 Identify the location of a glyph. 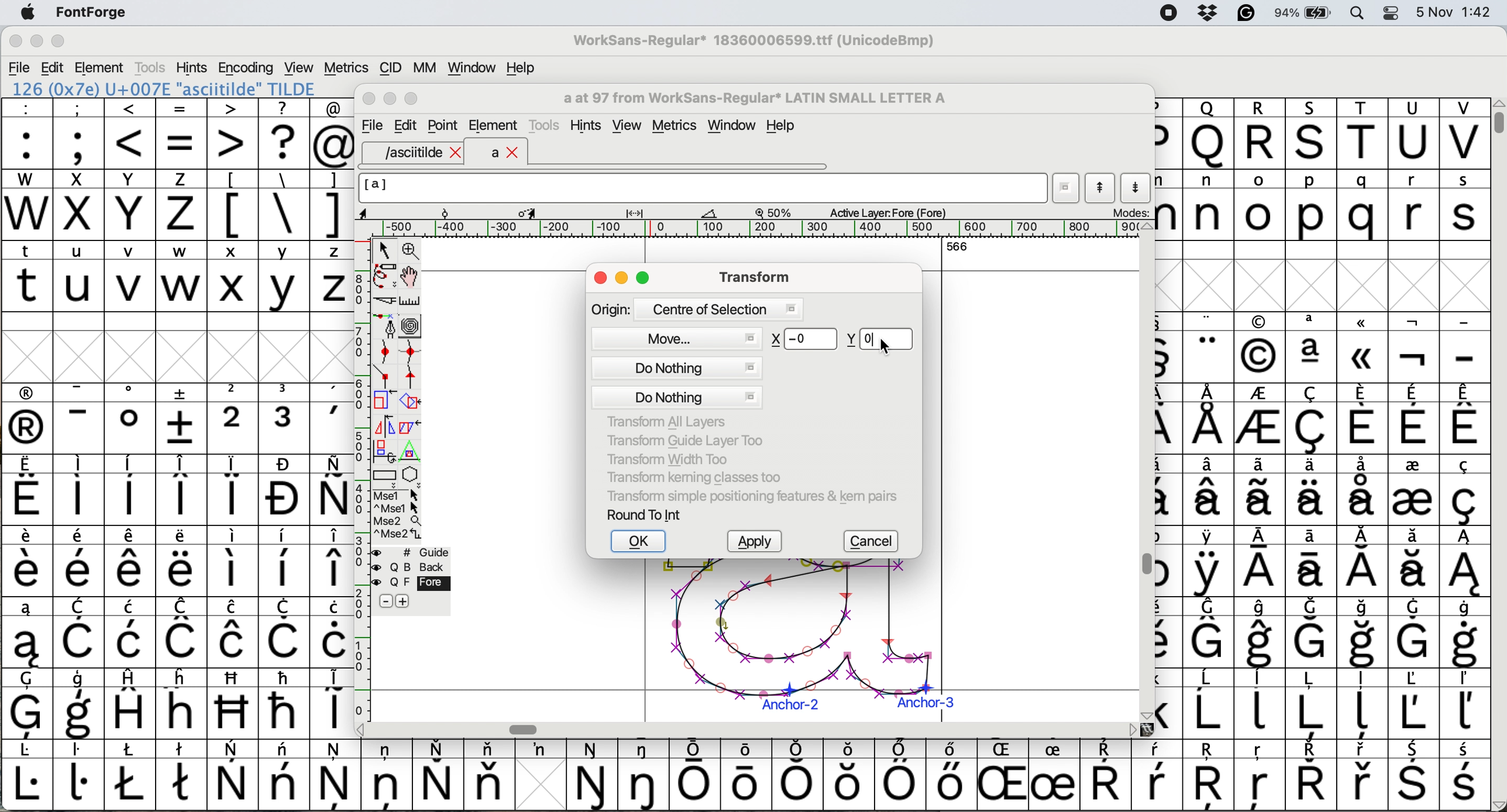
(798, 640).